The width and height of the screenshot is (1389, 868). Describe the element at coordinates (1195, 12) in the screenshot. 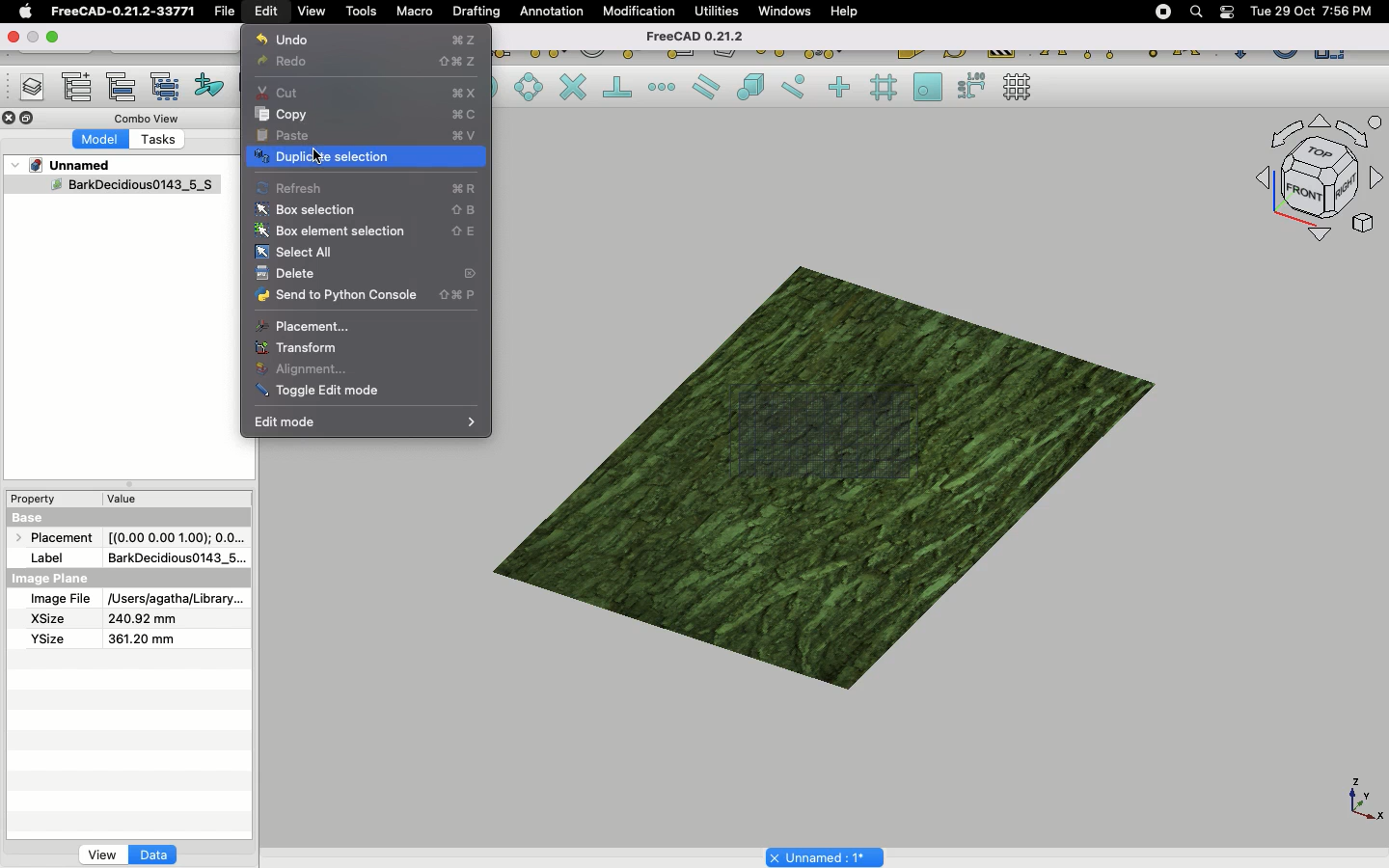

I see `Search` at that location.